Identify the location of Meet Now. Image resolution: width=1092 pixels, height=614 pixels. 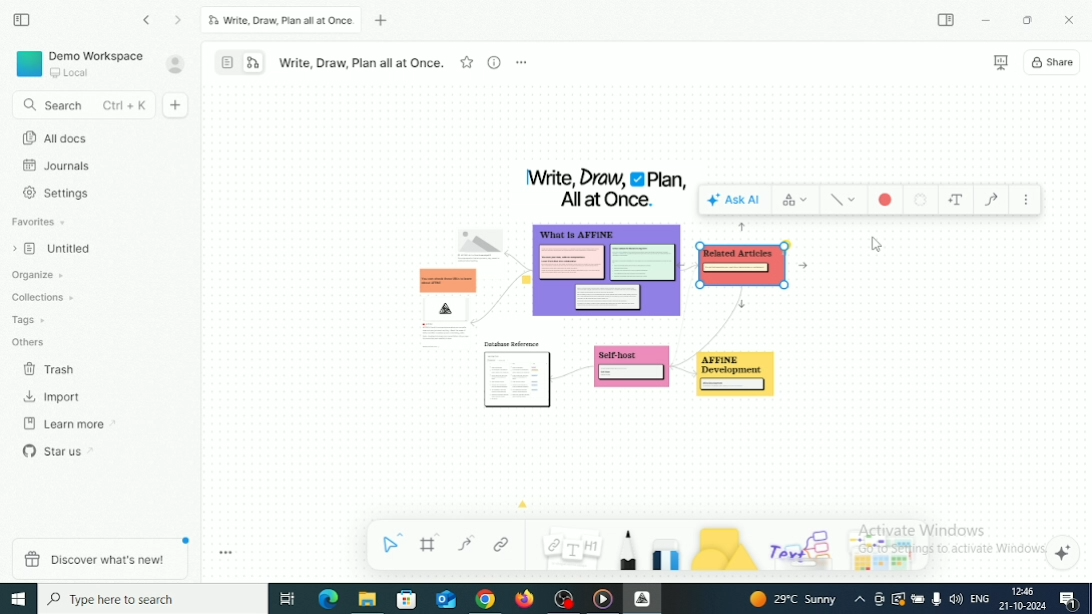
(880, 599).